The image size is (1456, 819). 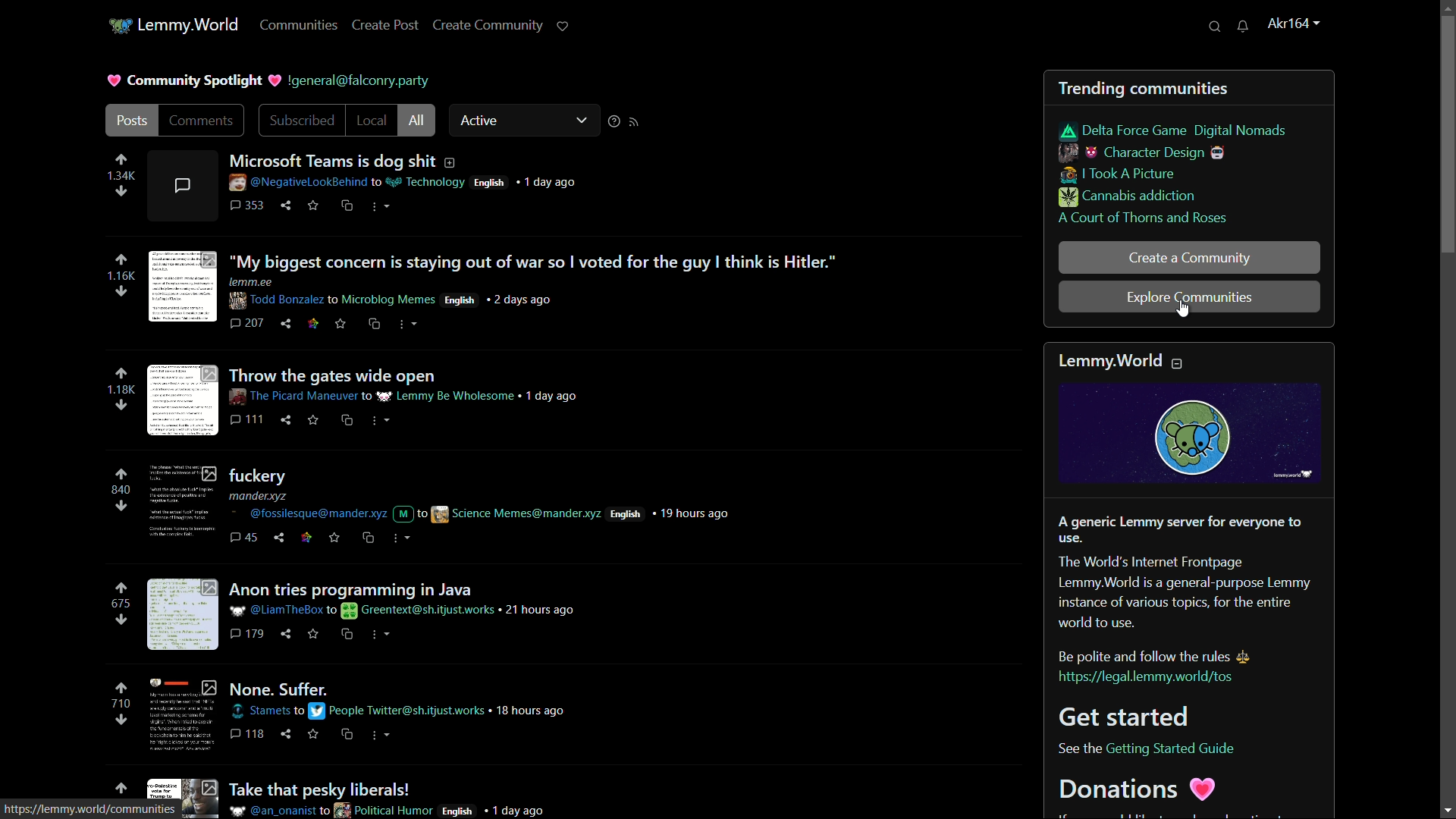 I want to click on post-2, so click(x=531, y=260).